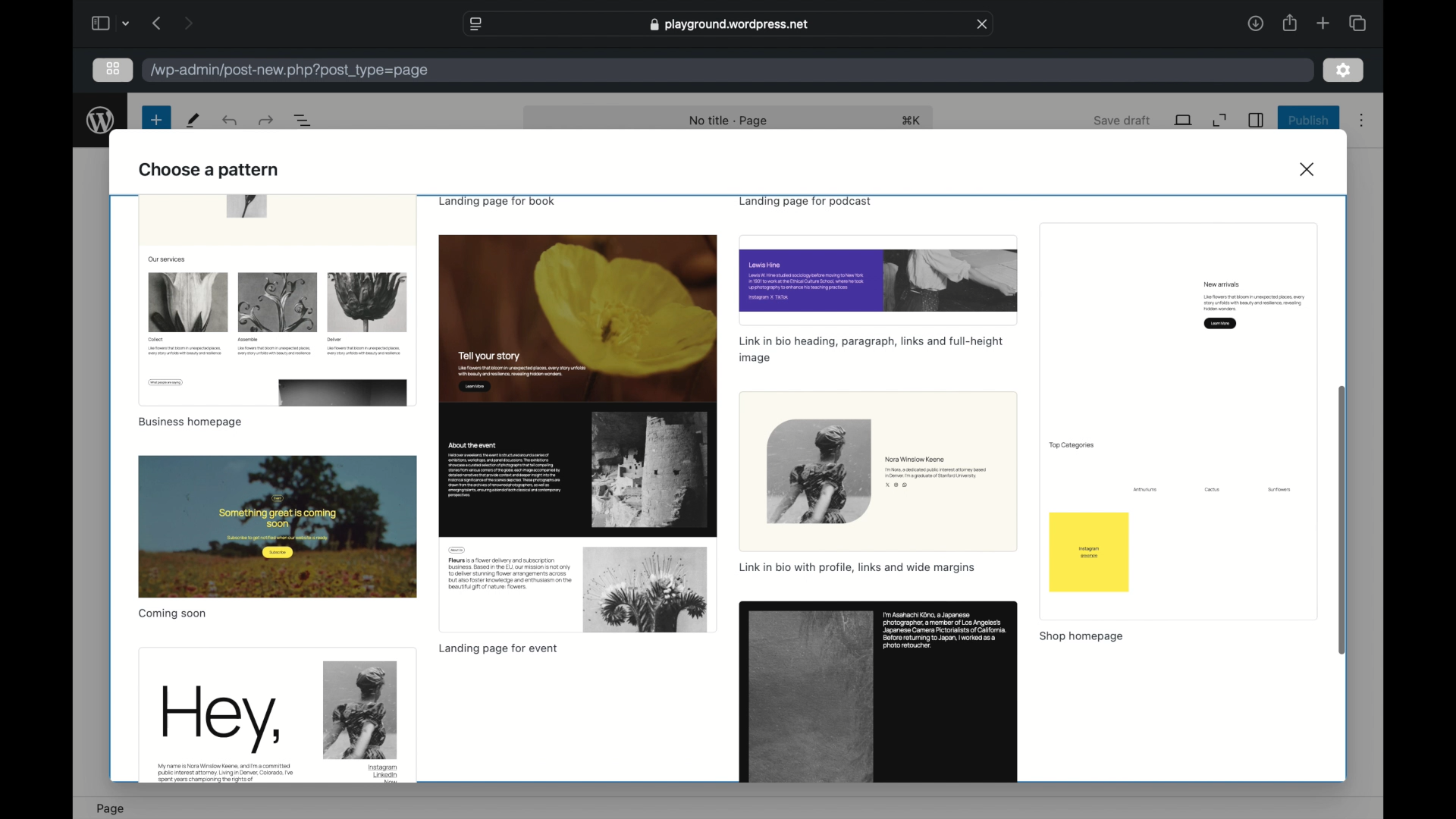  What do you see at coordinates (1124, 121) in the screenshot?
I see `save draft` at bounding box center [1124, 121].